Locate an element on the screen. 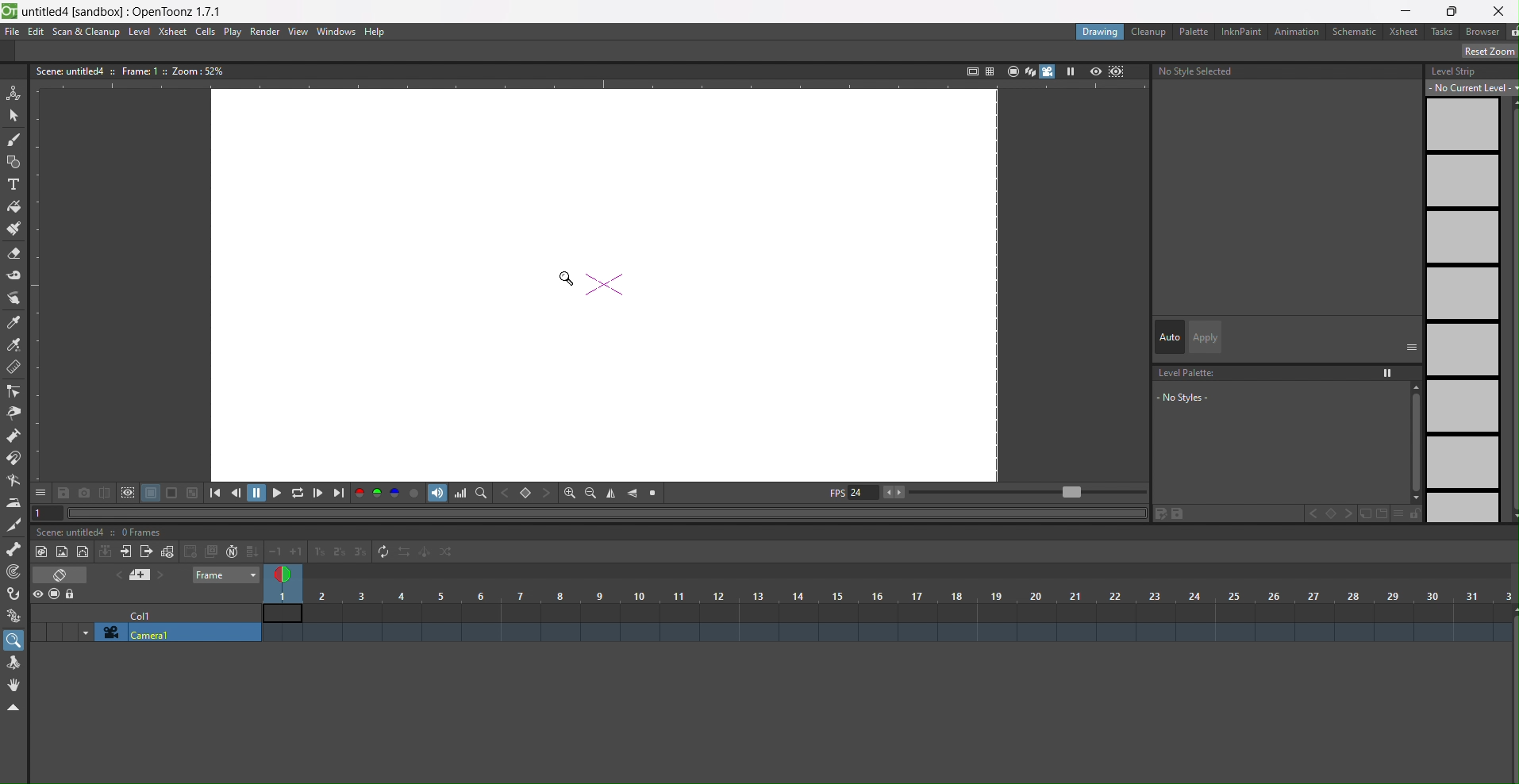 The image size is (1519, 784). xsheet is located at coordinates (1405, 32).